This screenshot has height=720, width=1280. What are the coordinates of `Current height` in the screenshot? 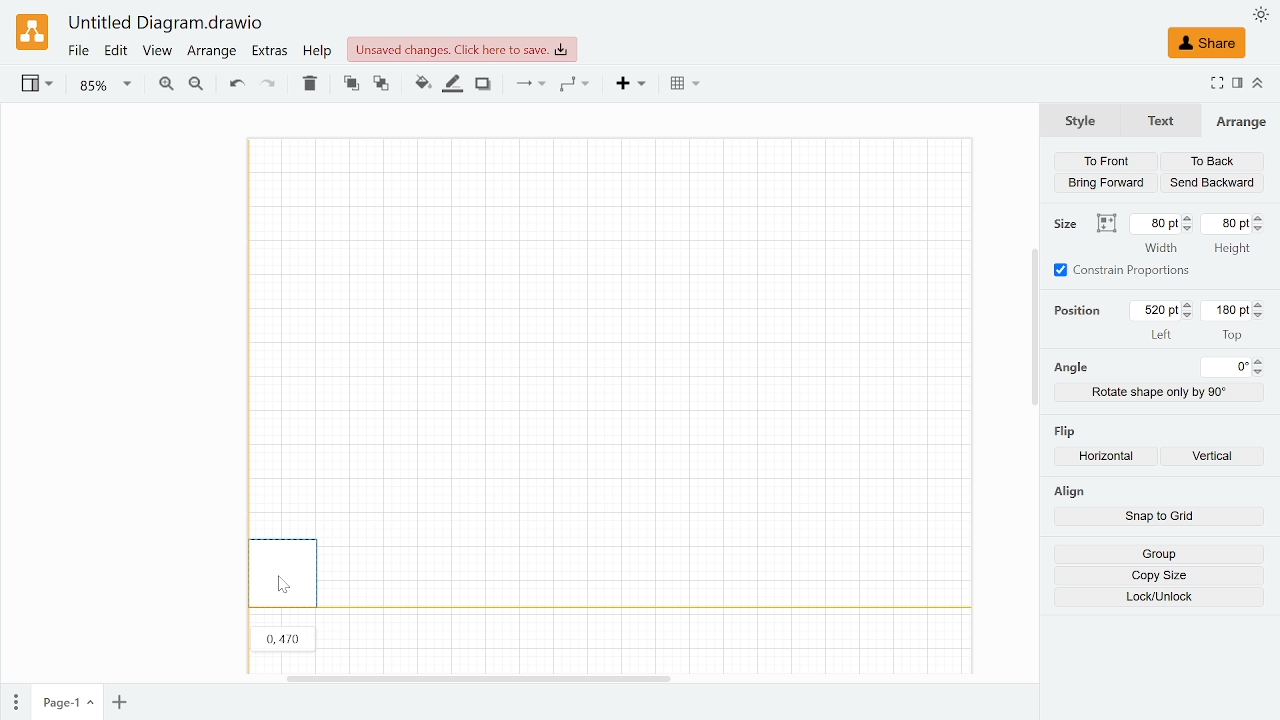 It's located at (1228, 223).